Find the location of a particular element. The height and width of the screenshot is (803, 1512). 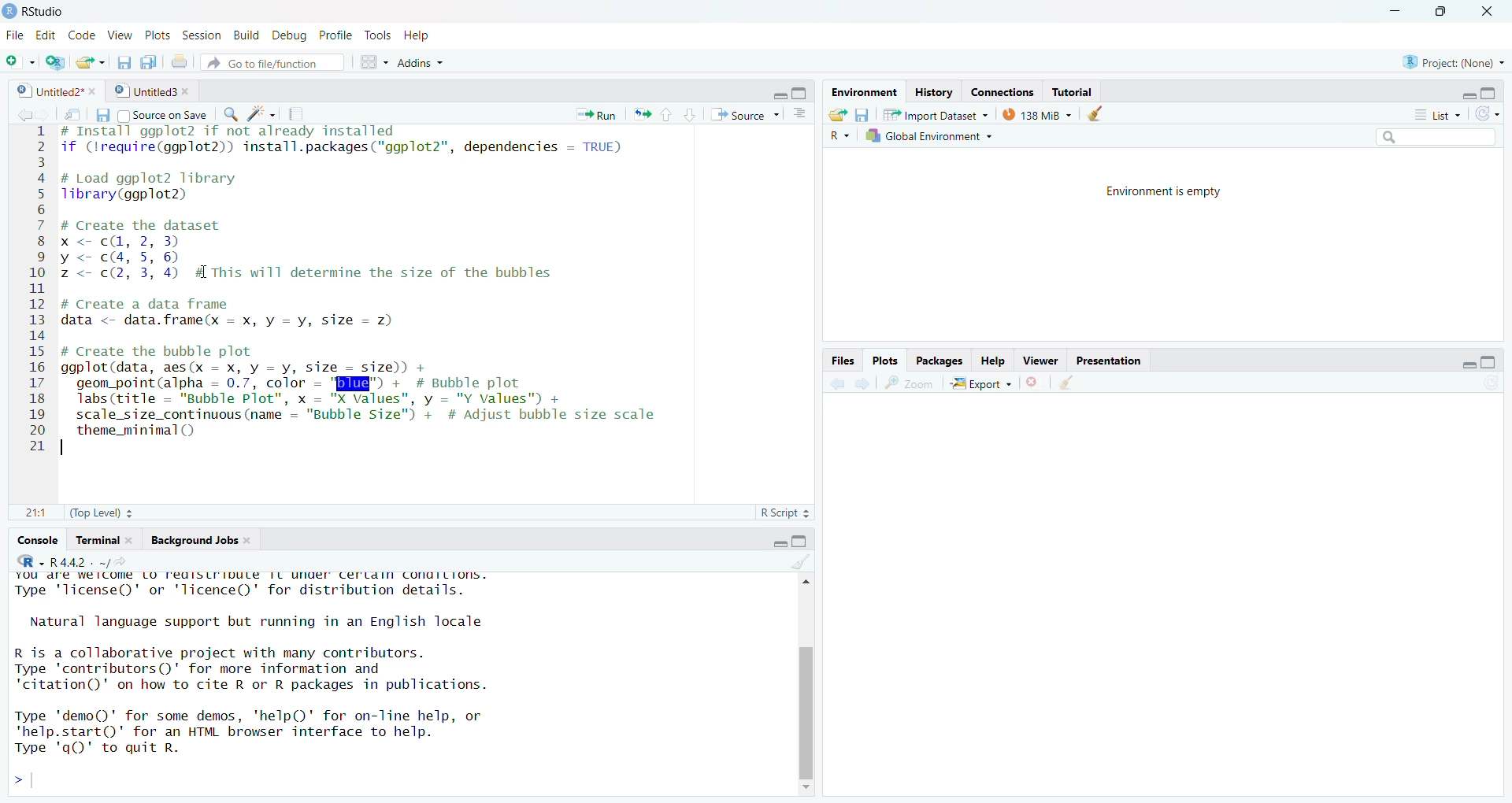

Maximise/minimise is located at coordinates (779, 540).